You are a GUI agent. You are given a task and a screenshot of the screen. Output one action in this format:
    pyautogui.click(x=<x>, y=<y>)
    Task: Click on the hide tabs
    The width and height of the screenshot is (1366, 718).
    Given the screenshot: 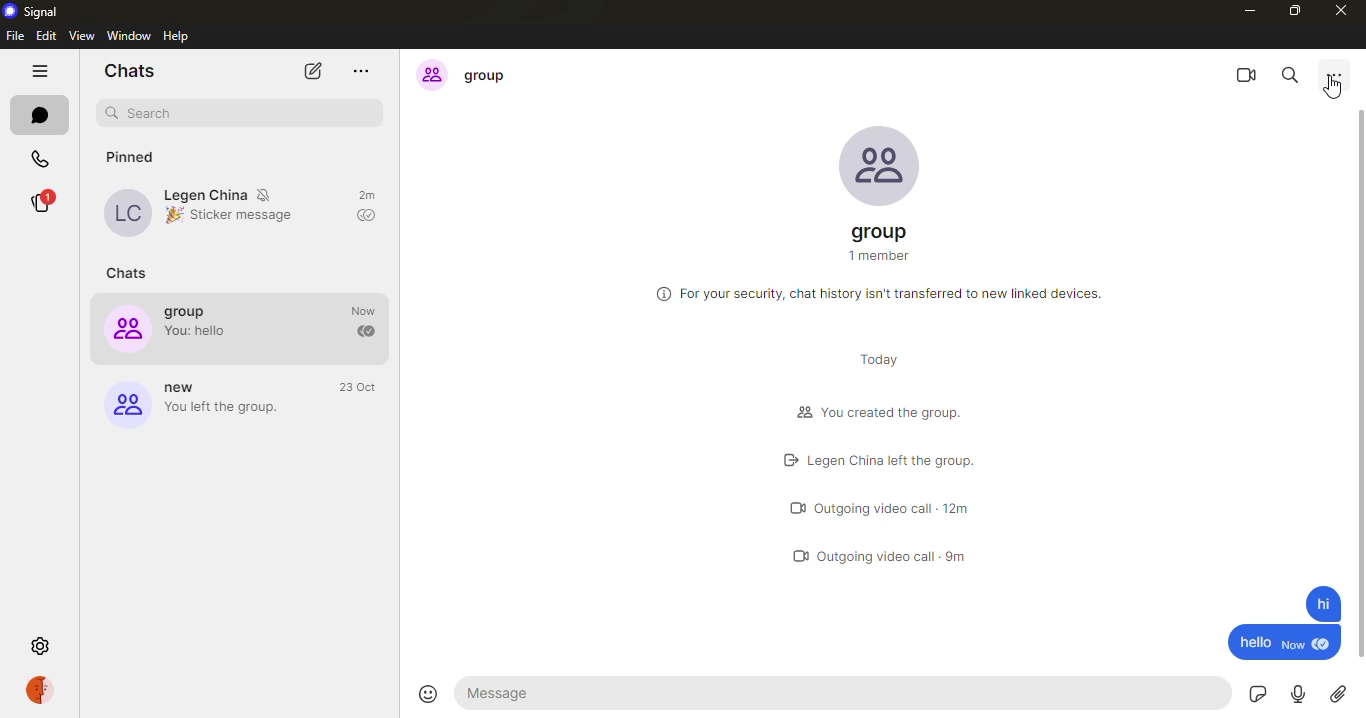 What is the action you would take?
    pyautogui.click(x=37, y=69)
    